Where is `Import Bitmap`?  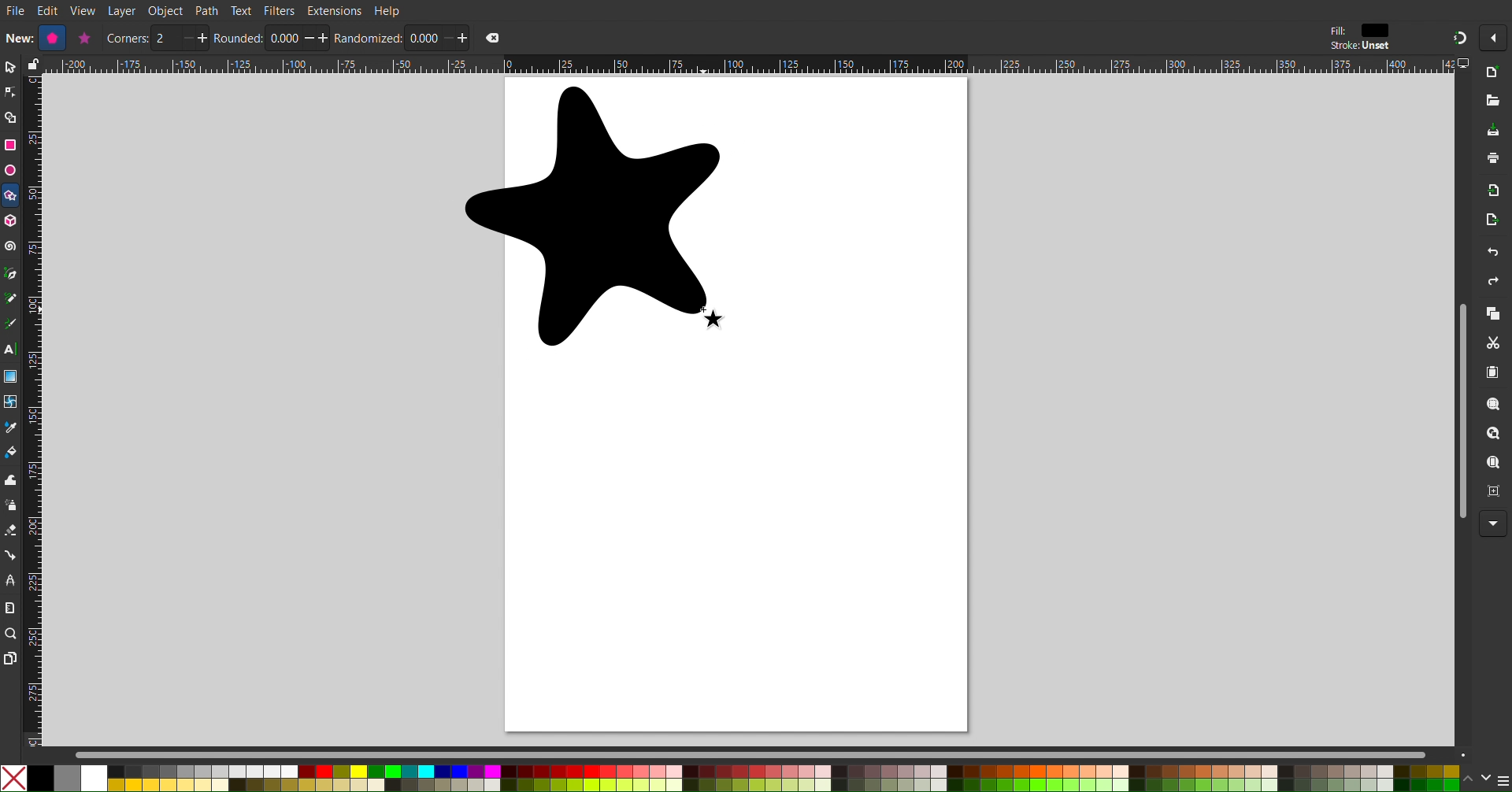 Import Bitmap is located at coordinates (1494, 194).